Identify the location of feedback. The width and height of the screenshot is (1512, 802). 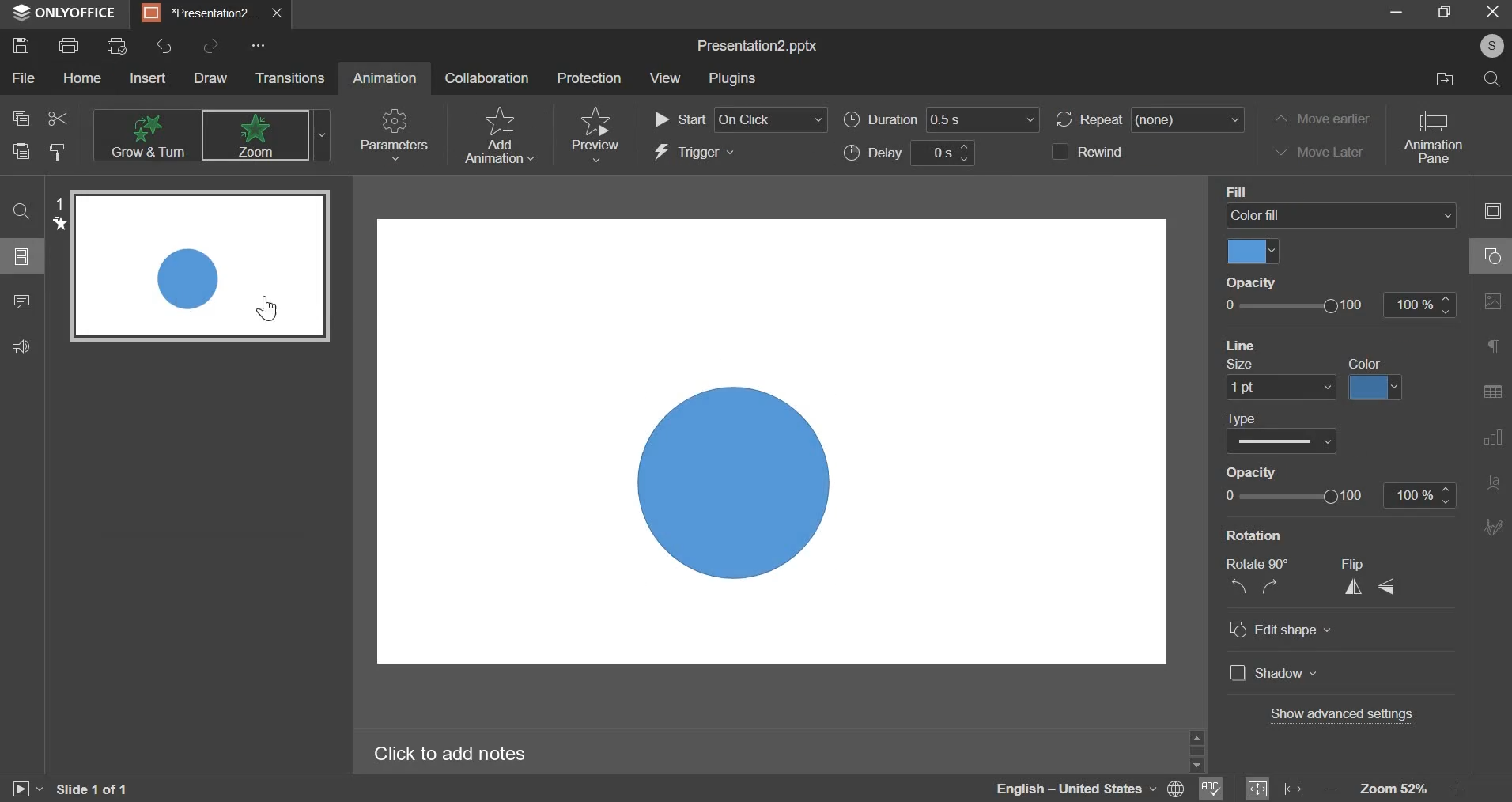
(24, 347).